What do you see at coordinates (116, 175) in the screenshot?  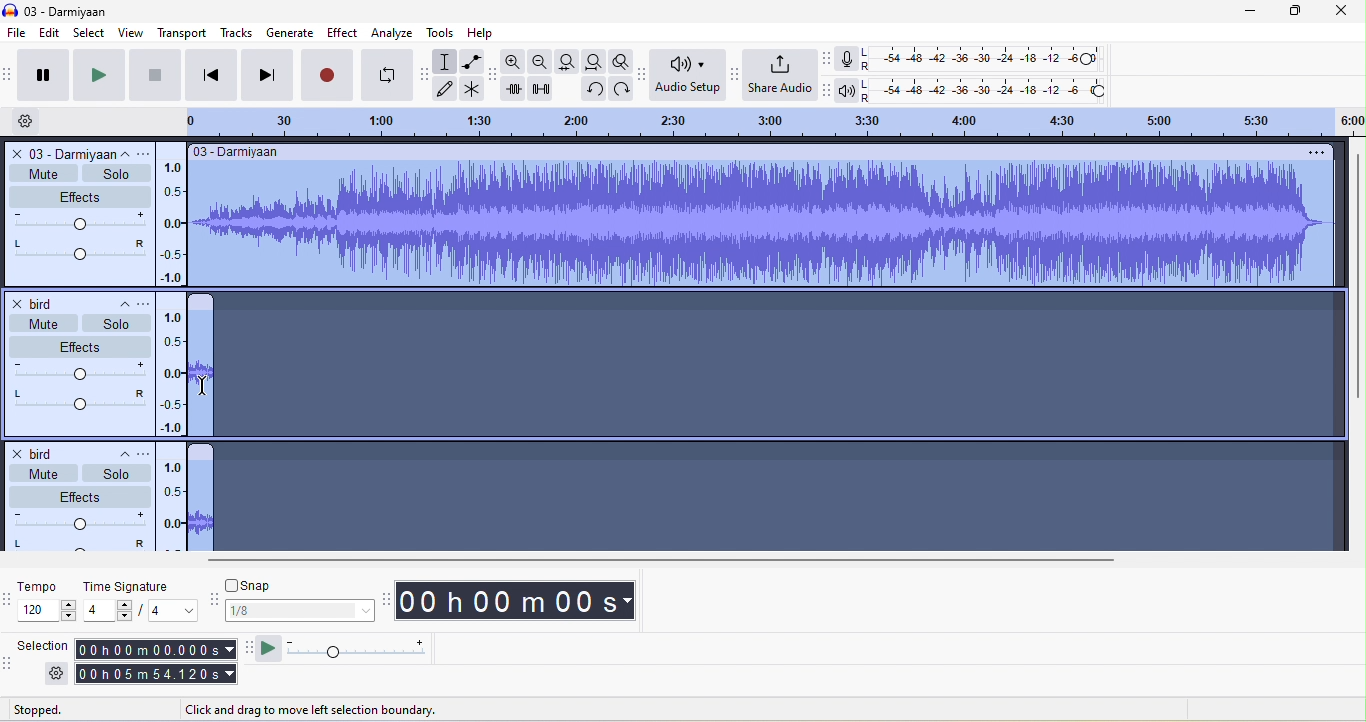 I see `solo` at bounding box center [116, 175].